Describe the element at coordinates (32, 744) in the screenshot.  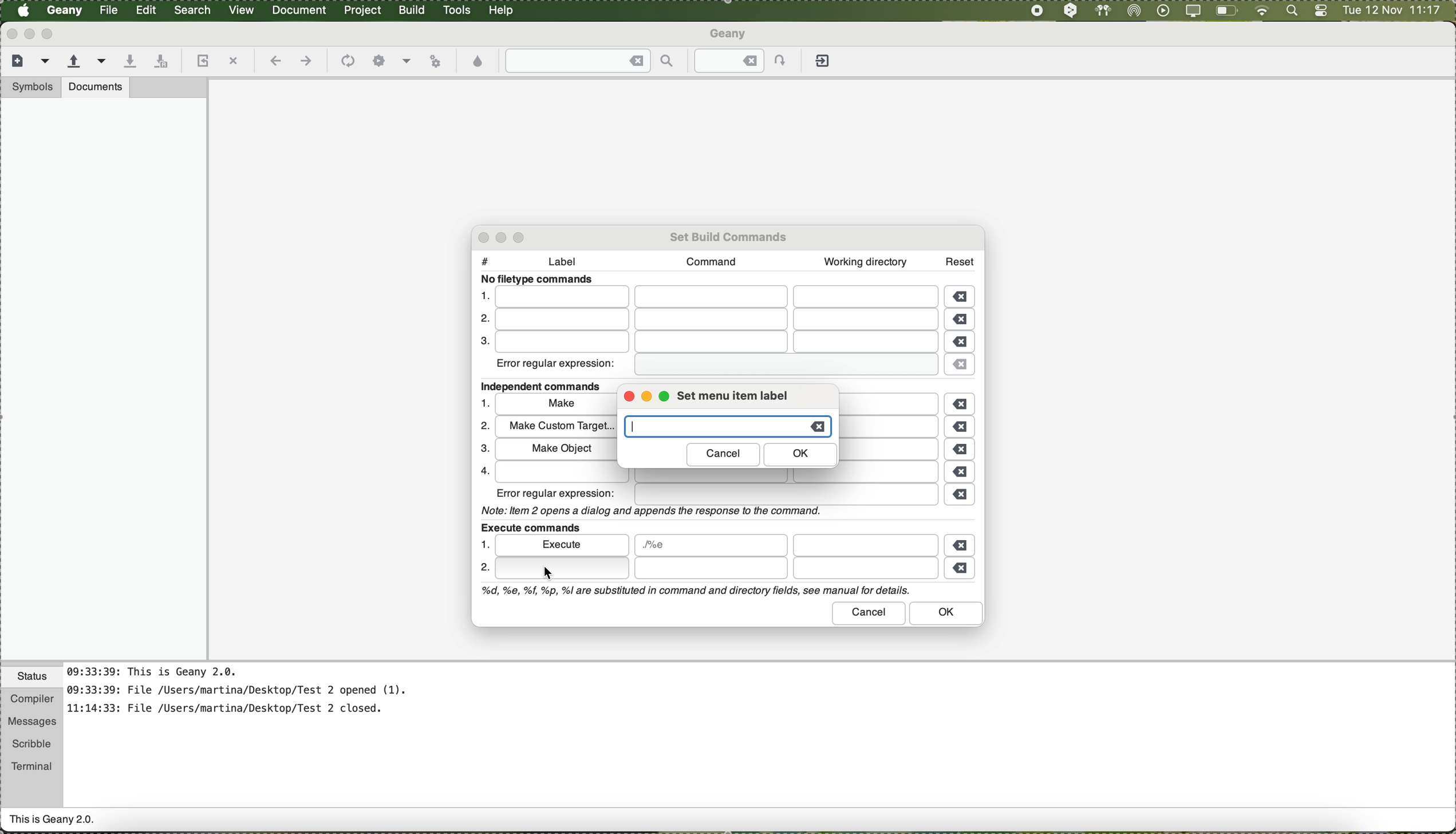
I see `scribble` at that location.